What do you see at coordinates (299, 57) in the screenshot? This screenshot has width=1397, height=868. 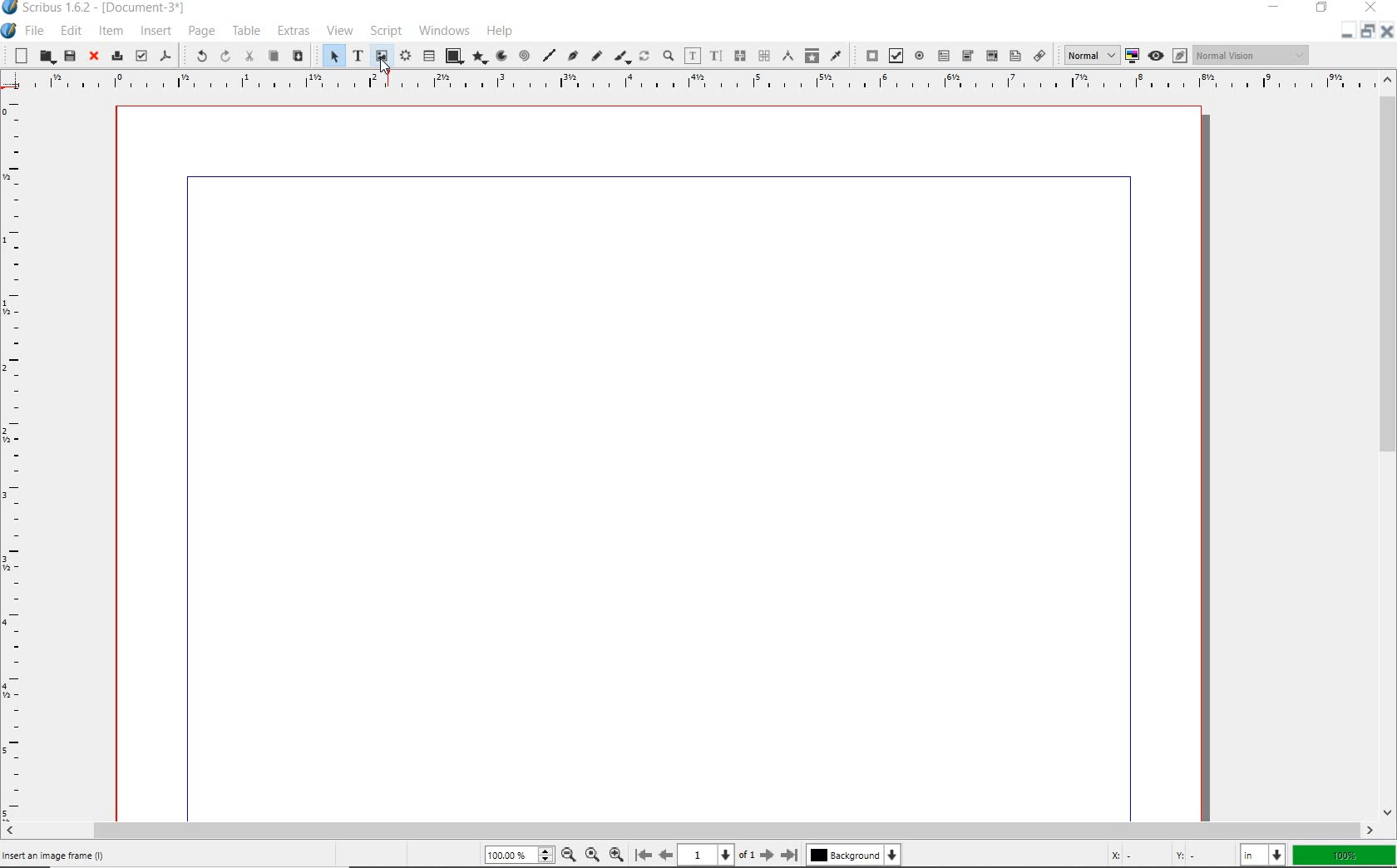 I see `paste` at bounding box center [299, 57].